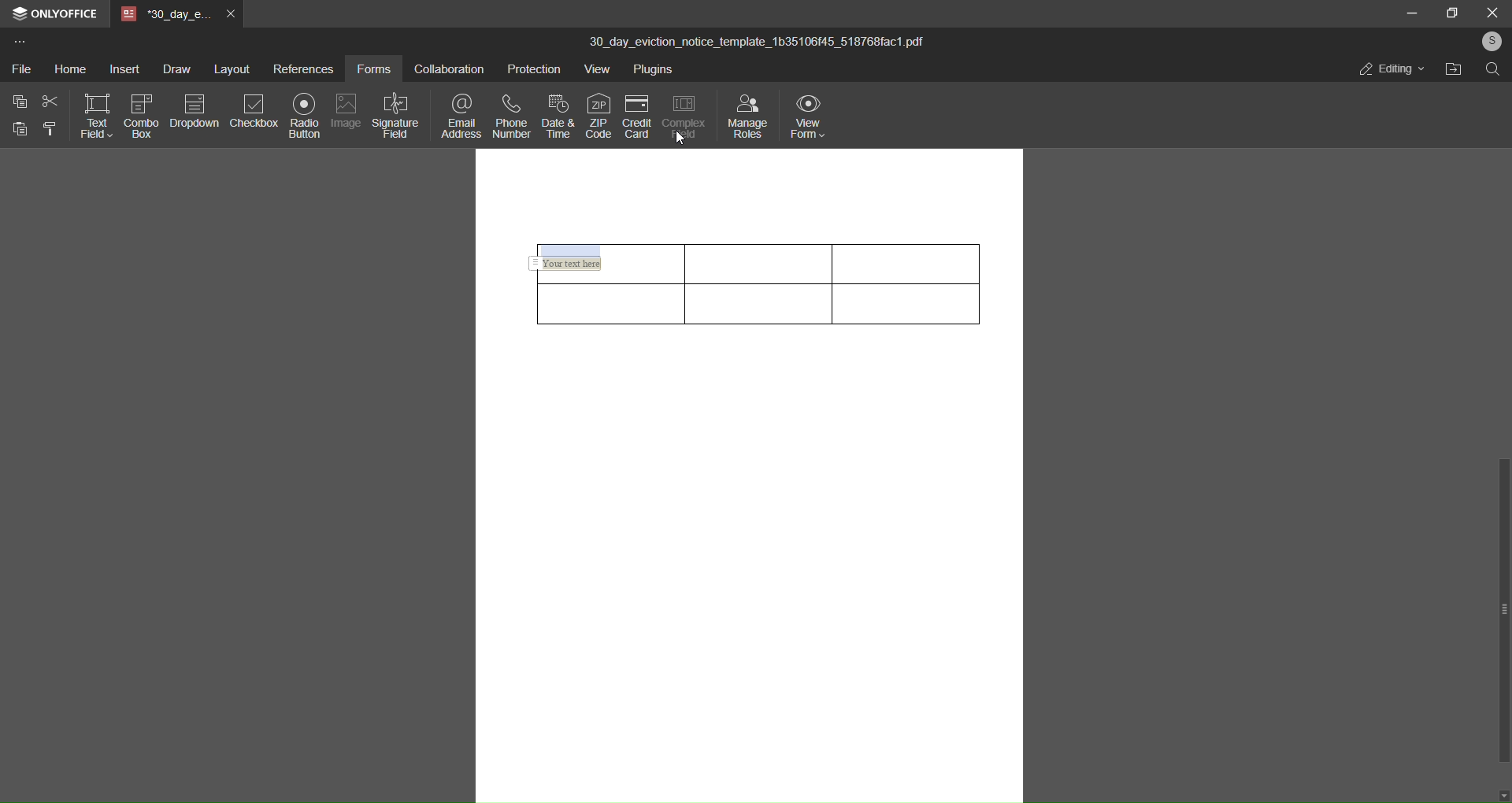  What do you see at coordinates (1490, 12) in the screenshot?
I see `close` at bounding box center [1490, 12].